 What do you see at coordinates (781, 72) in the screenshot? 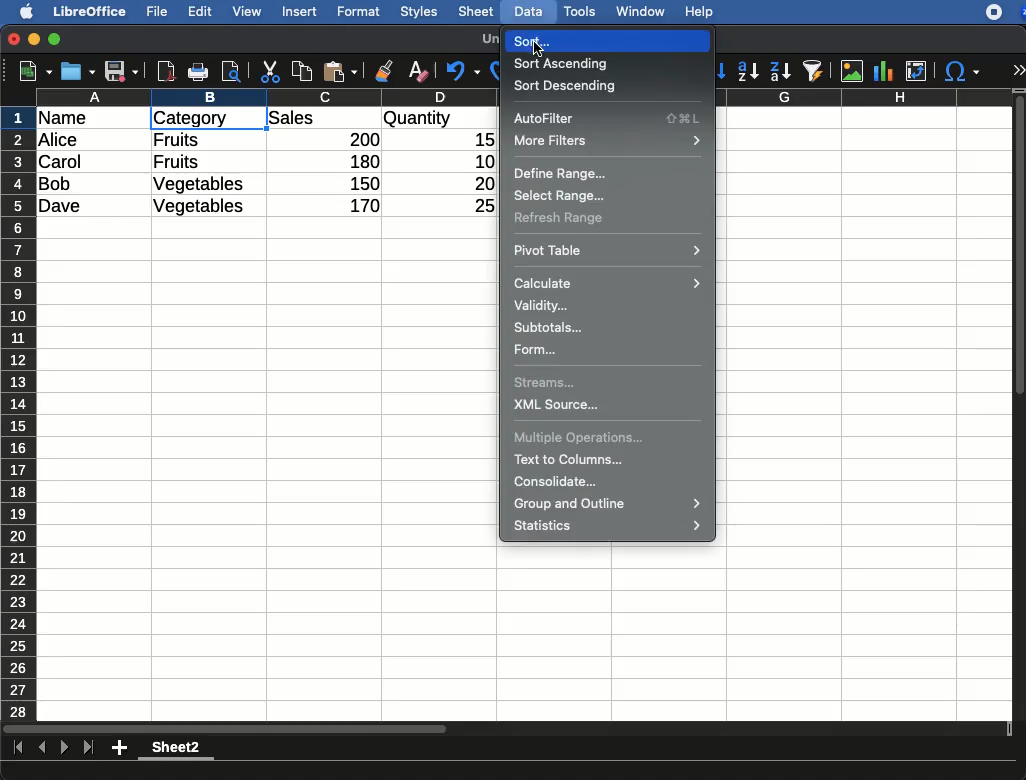
I see `descending` at bounding box center [781, 72].